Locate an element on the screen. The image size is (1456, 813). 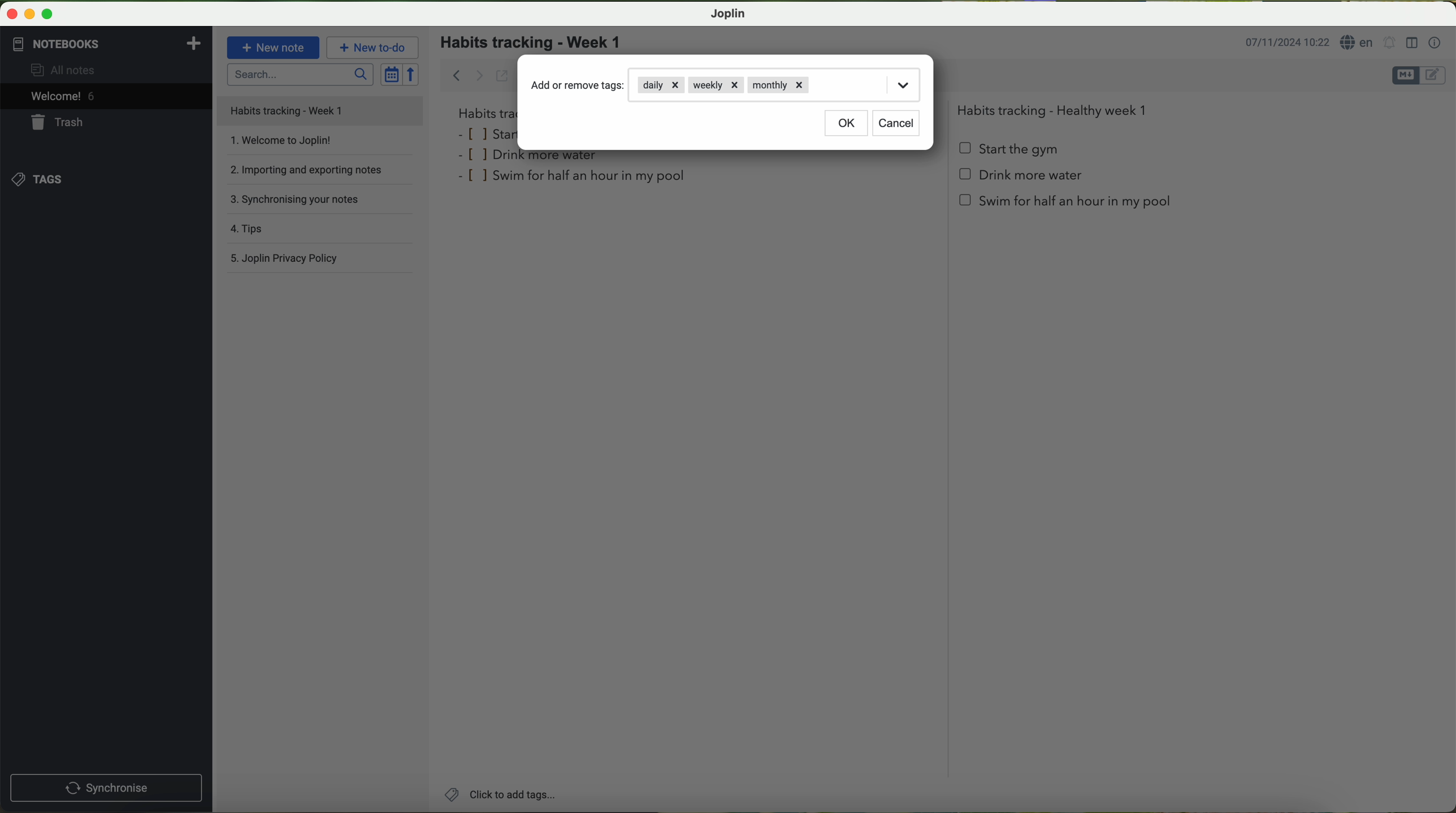
back is located at coordinates (453, 74).